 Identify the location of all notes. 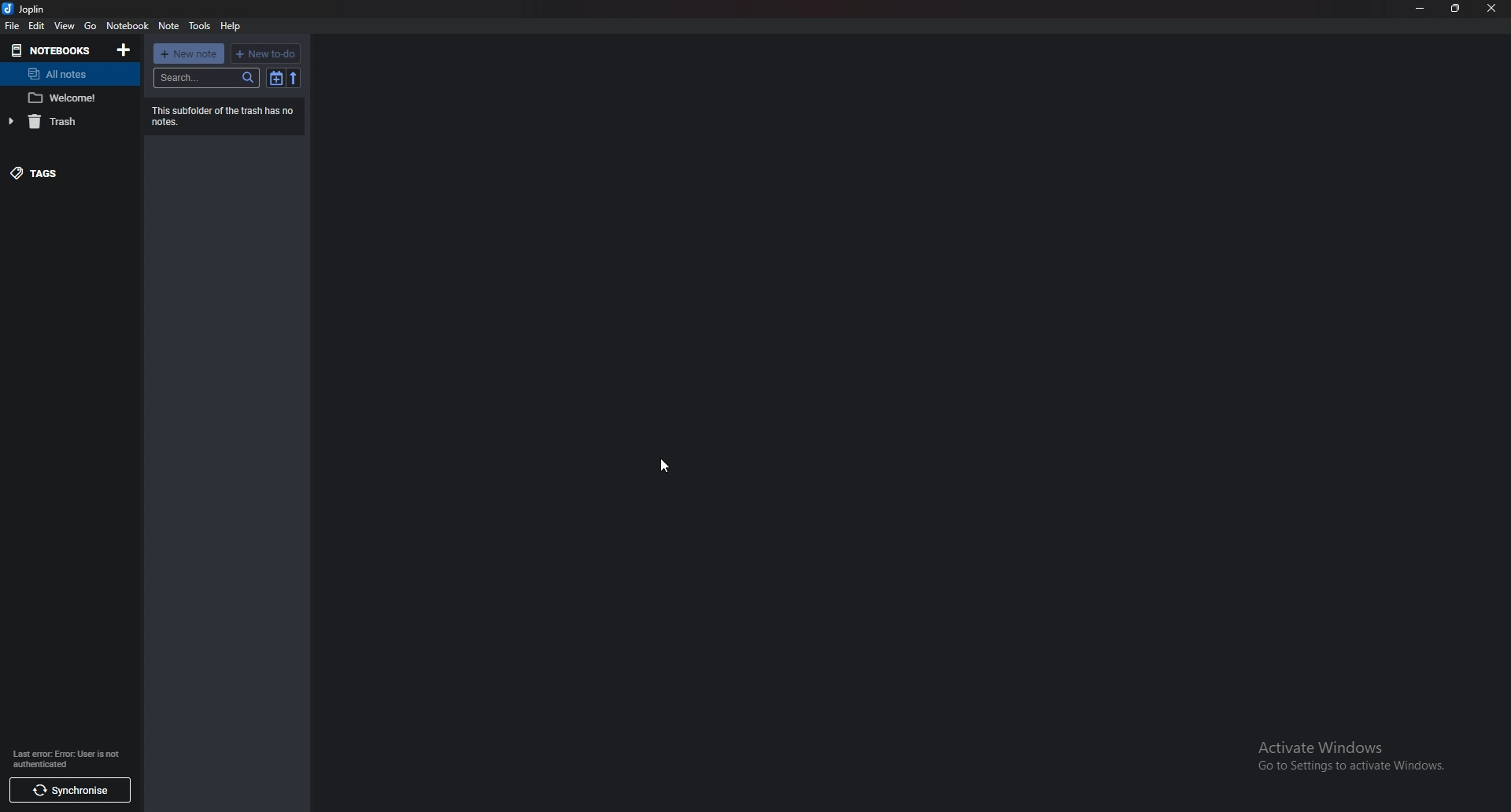
(66, 75).